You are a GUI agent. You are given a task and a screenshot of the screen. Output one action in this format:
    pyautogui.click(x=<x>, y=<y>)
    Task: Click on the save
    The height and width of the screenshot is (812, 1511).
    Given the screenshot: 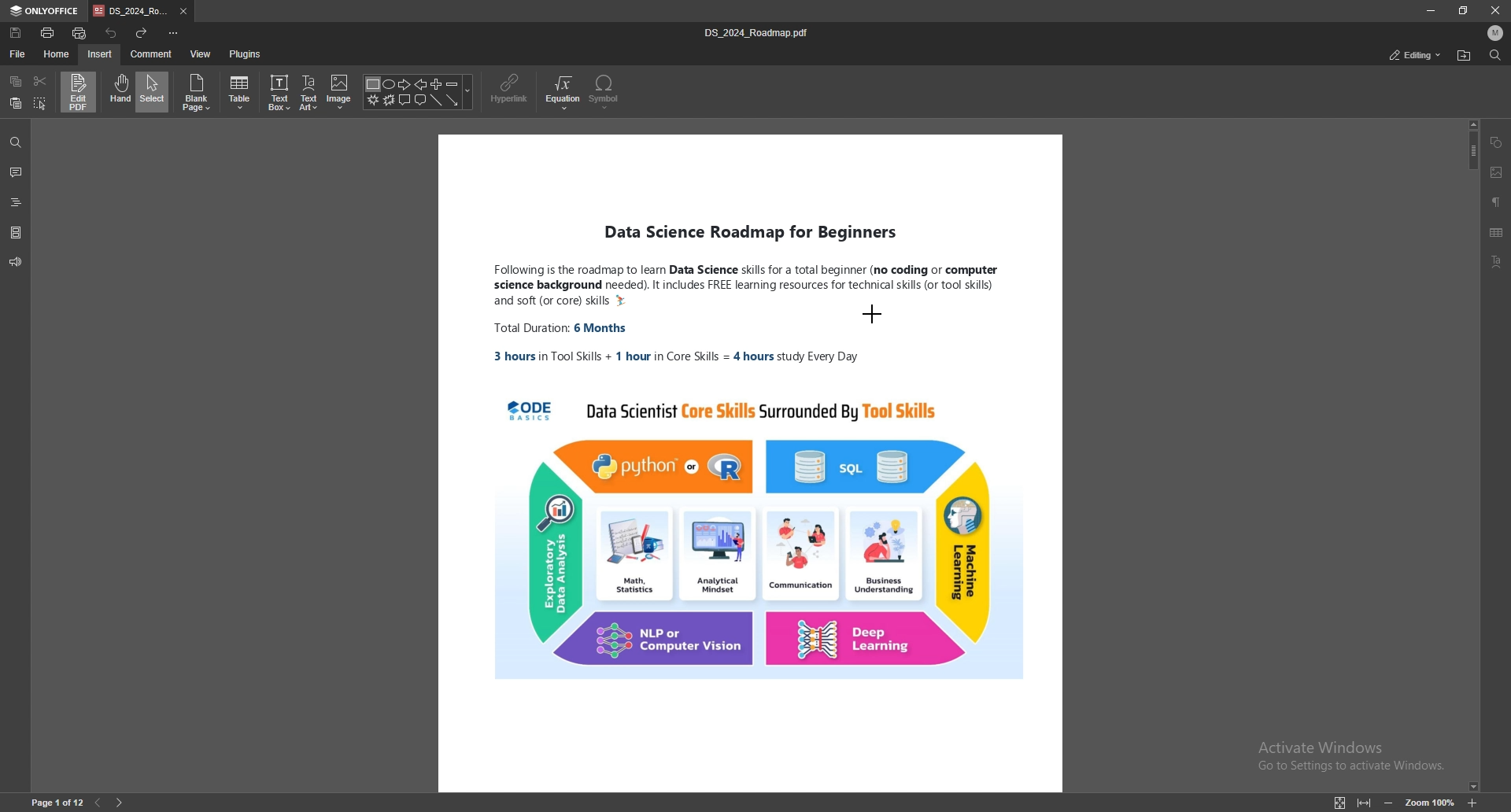 What is the action you would take?
    pyautogui.click(x=17, y=33)
    